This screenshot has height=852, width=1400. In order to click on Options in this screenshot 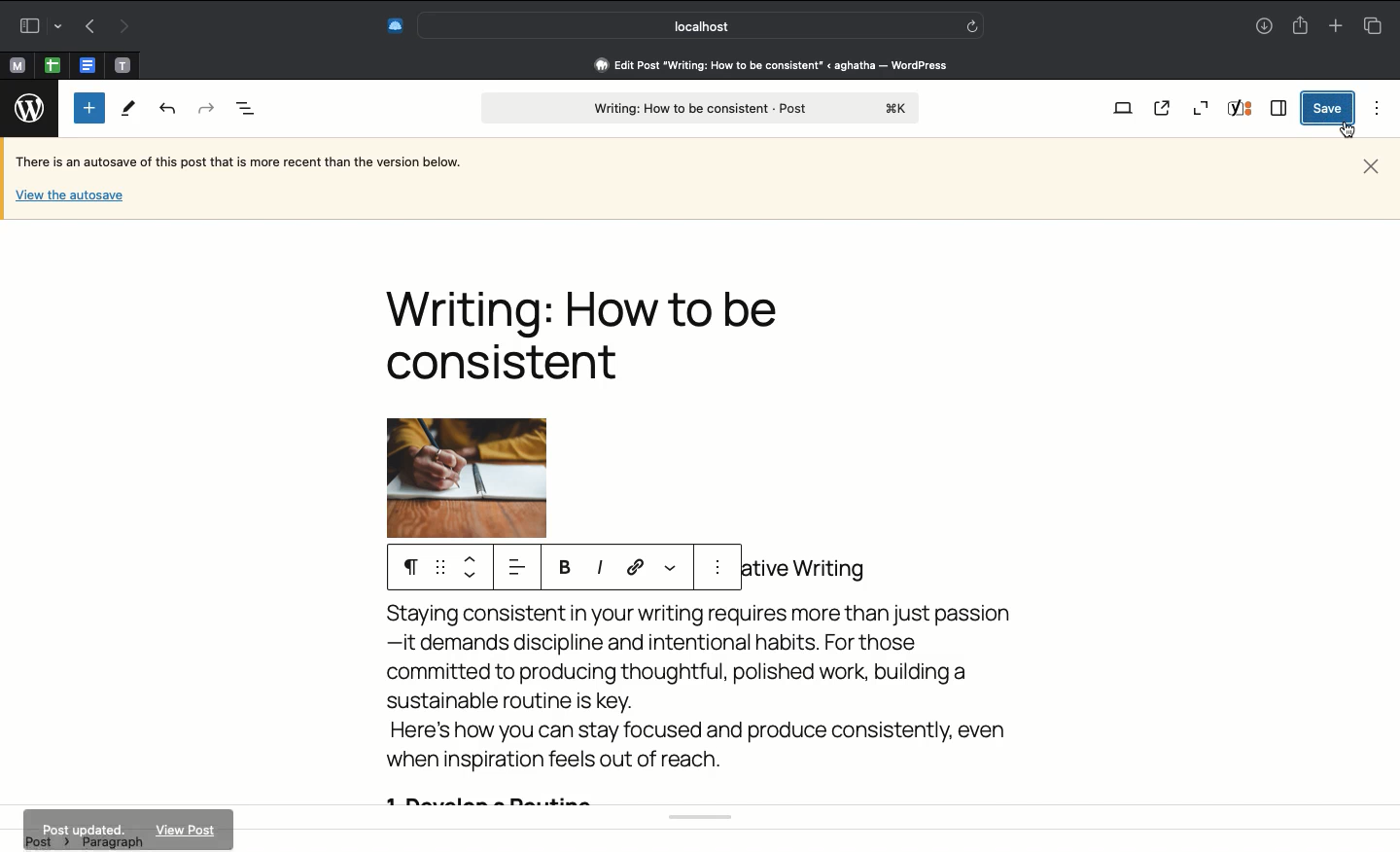, I will do `click(1373, 108)`.